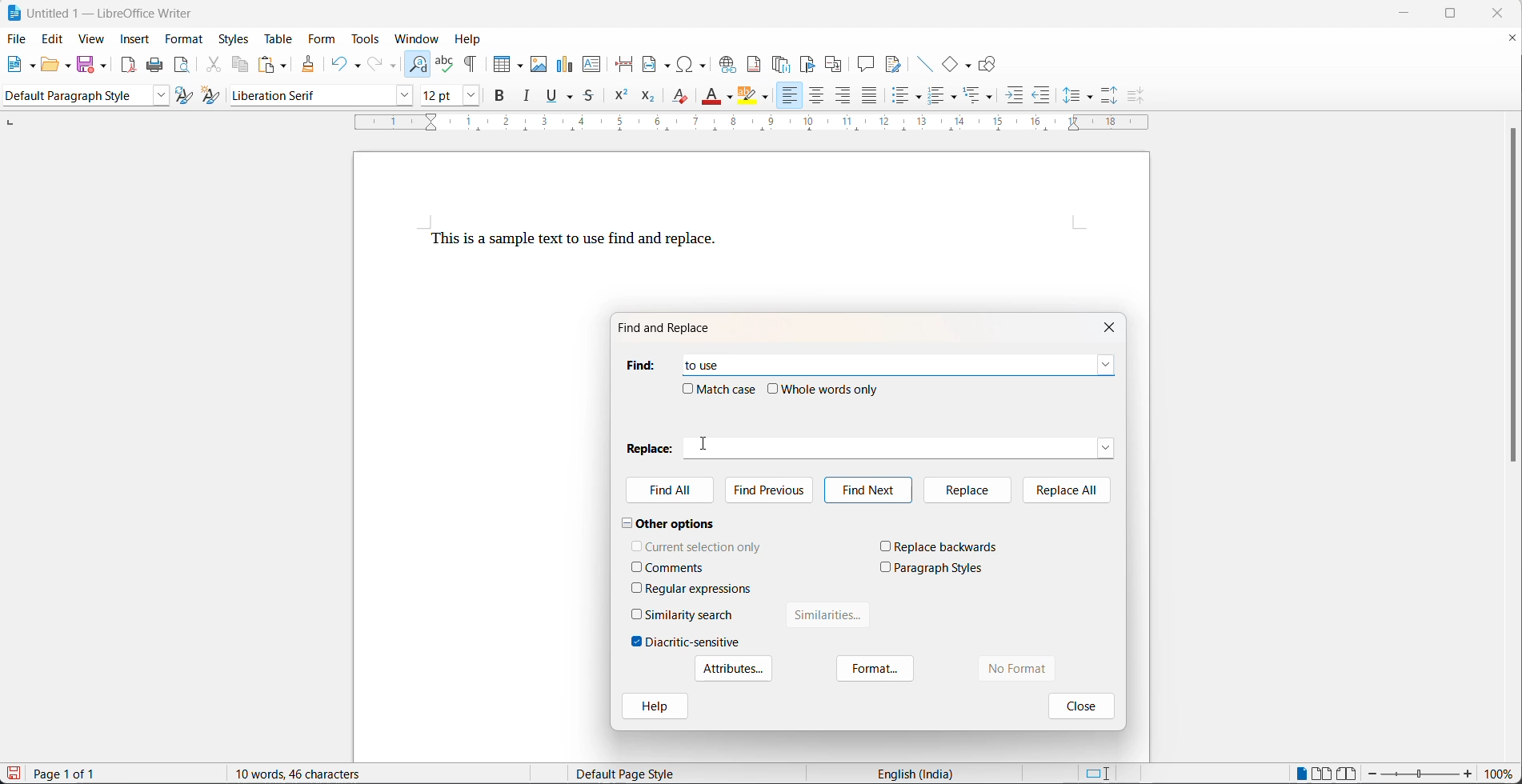  What do you see at coordinates (637, 566) in the screenshot?
I see `checkbox` at bounding box center [637, 566].